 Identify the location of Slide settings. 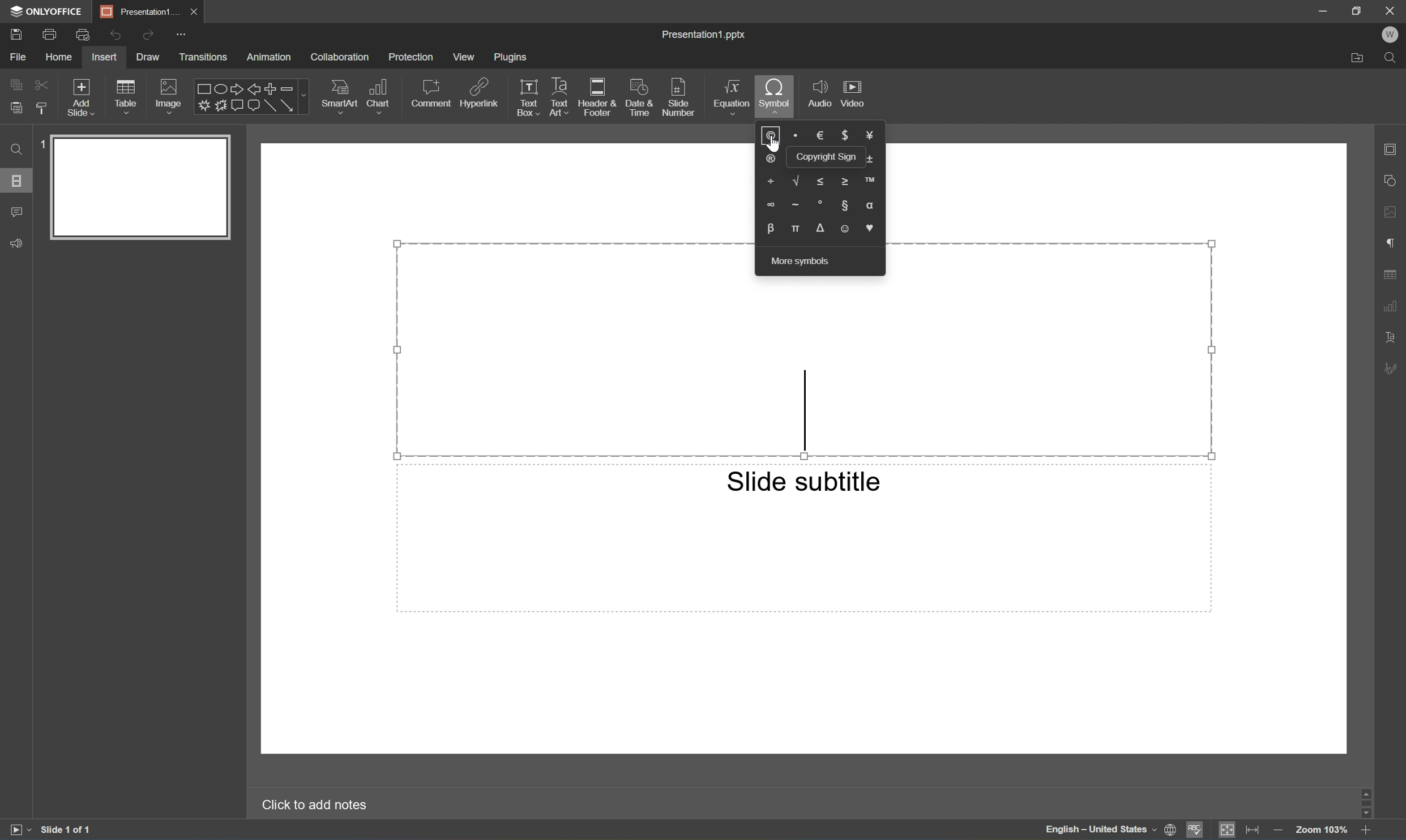
(1390, 149).